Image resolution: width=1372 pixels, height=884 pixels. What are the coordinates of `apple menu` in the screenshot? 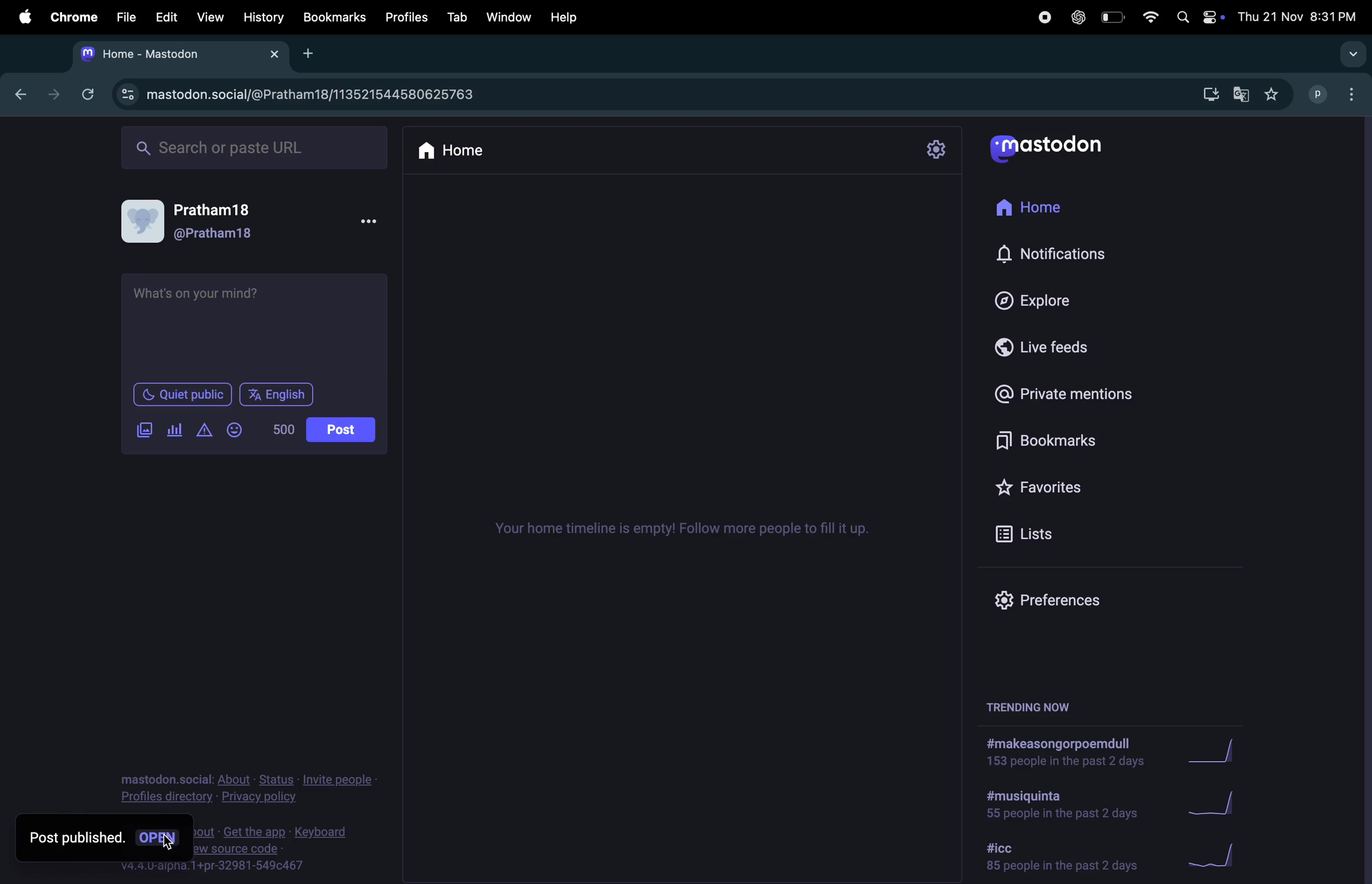 It's located at (22, 15).